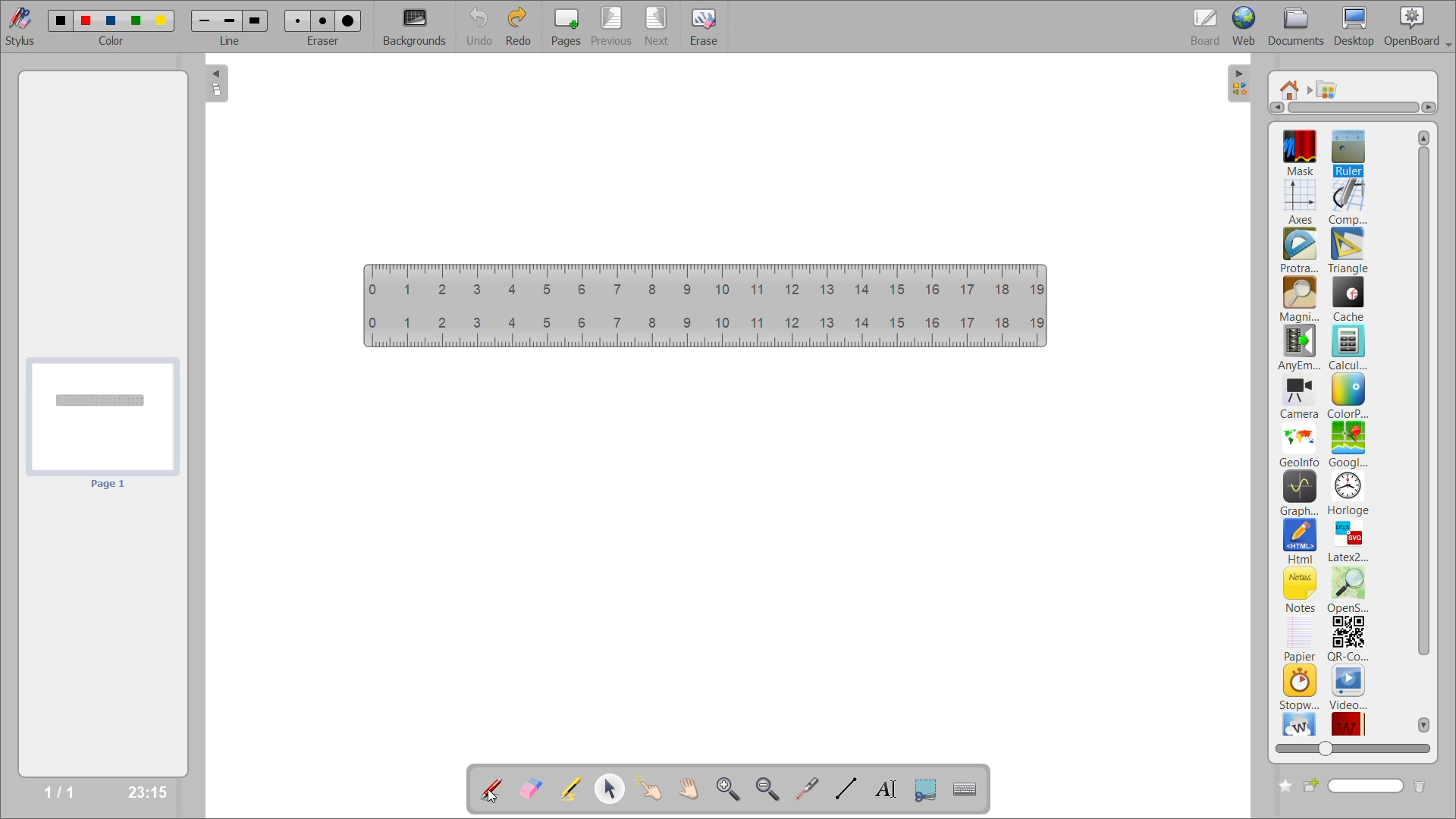 This screenshot has width=1456, height=819. I want to click on ruler, so click(705, 306).